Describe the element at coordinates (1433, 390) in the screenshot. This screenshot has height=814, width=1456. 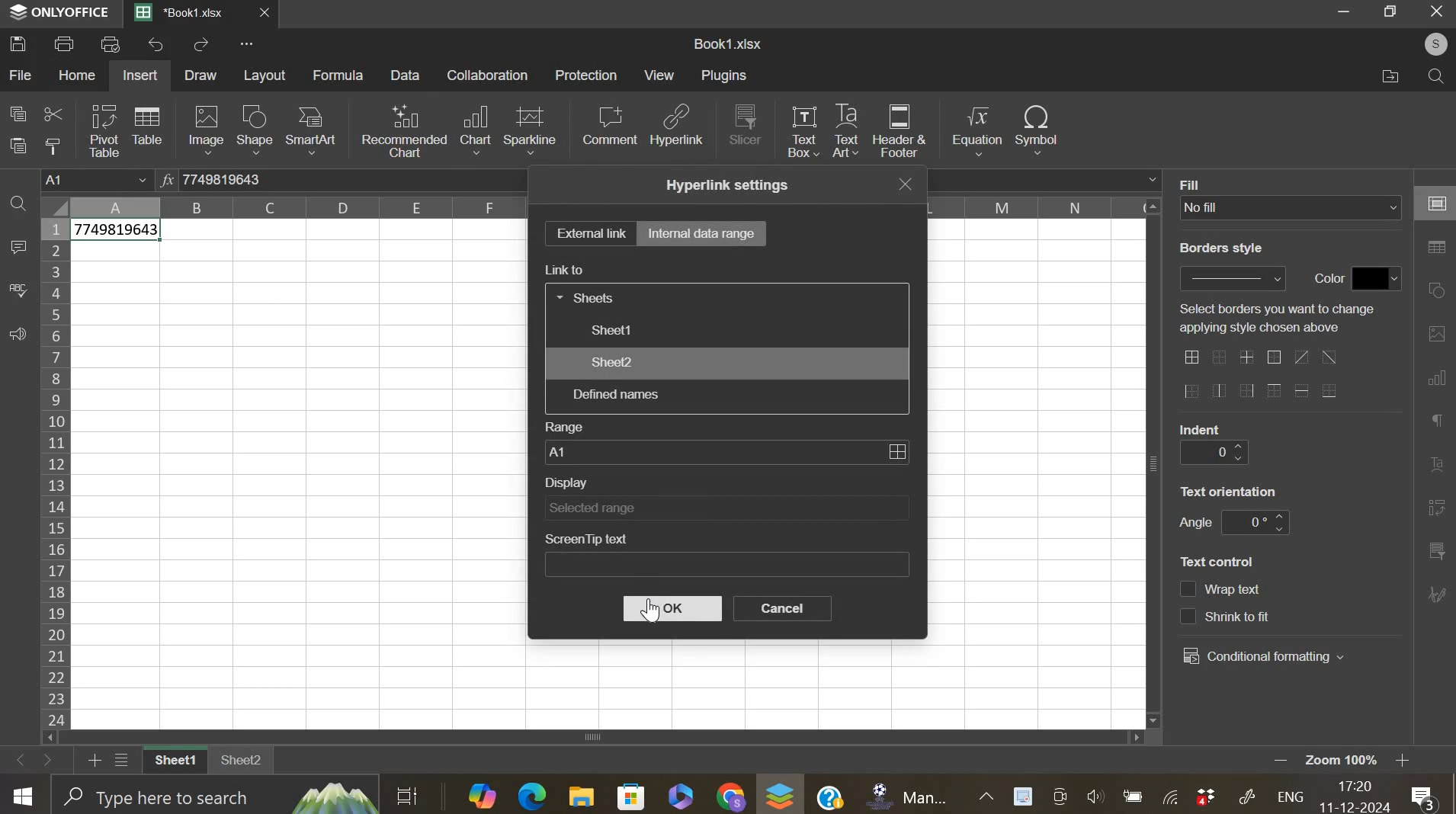
I see `right side bar` at that location.